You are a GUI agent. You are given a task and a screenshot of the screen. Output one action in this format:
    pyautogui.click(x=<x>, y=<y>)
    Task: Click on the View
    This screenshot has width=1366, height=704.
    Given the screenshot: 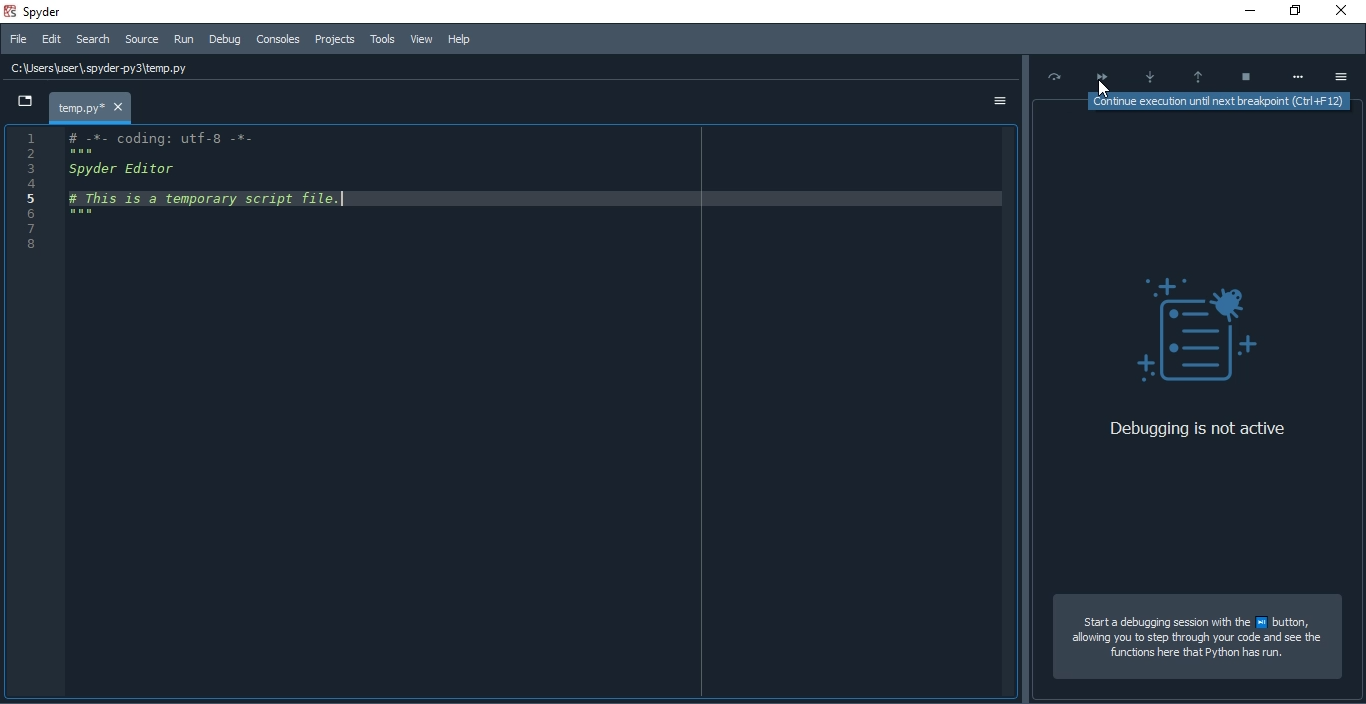 What is the action you would take?
    pyautogui.click(x=421, y=38)
    